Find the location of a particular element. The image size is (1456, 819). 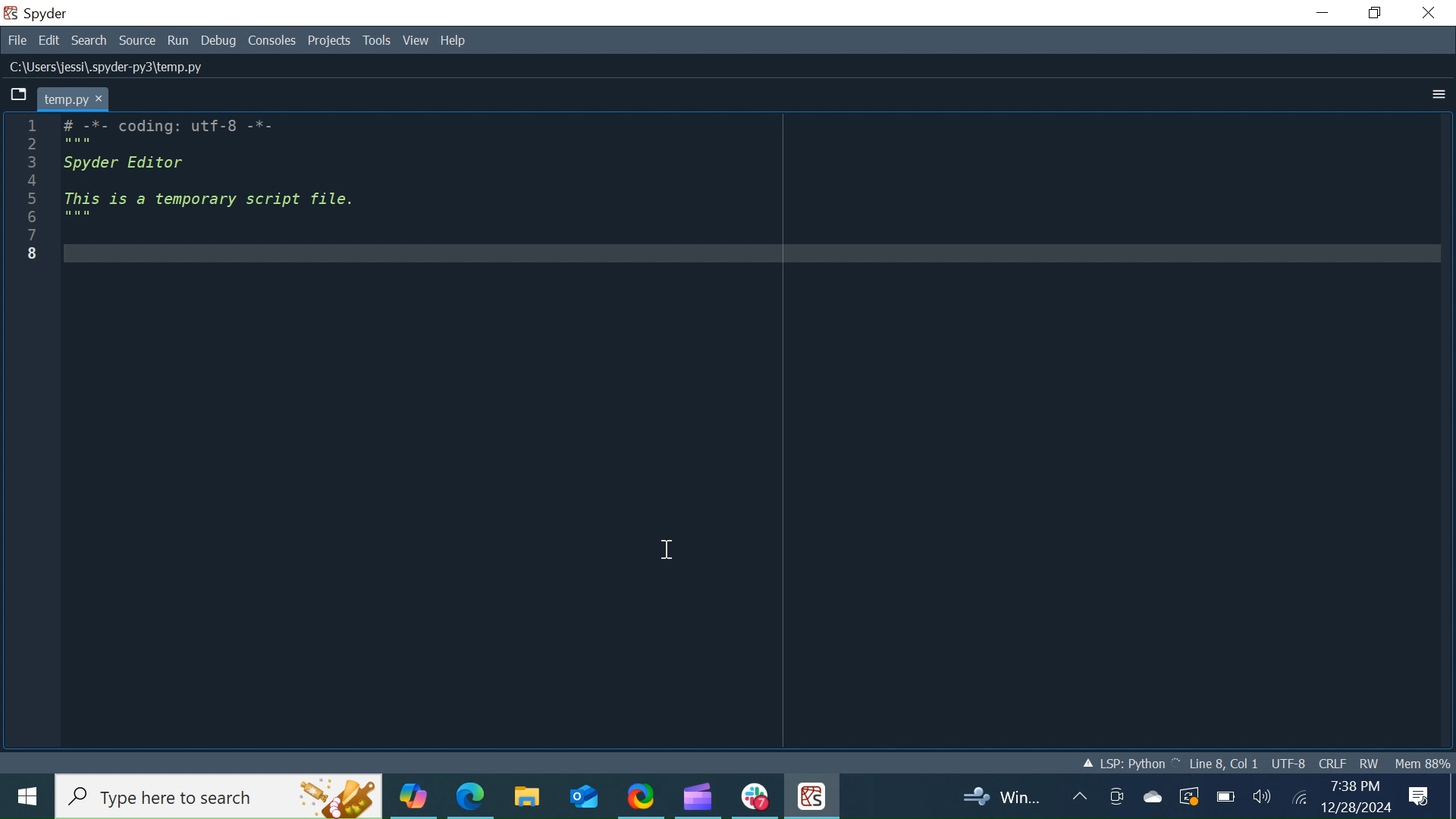

Spyder Desktop Icon is located at coordinates (37, 14).